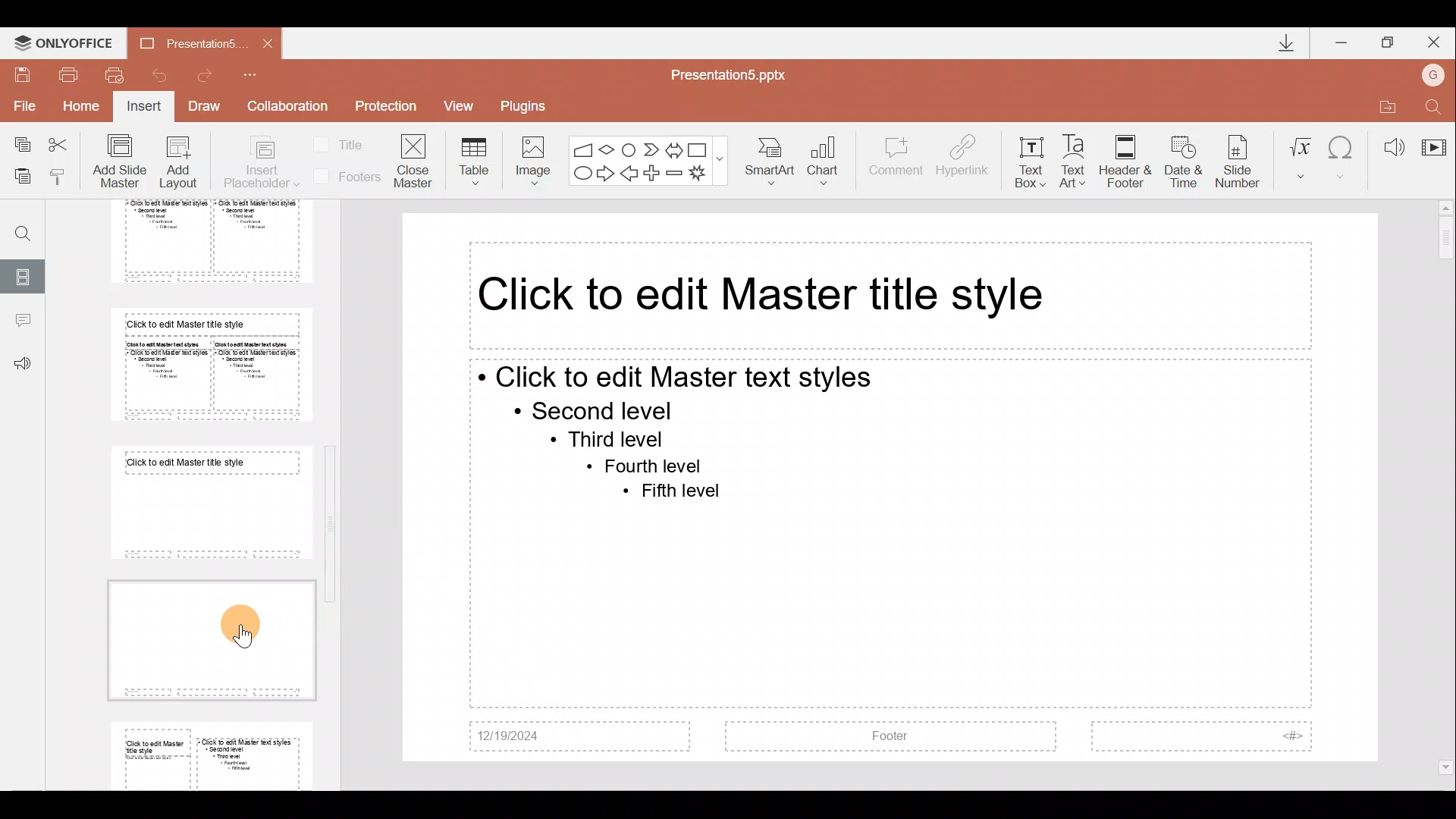 This screenshot has width=1456, height=819. I want to click on Paste, so click(22, 178).